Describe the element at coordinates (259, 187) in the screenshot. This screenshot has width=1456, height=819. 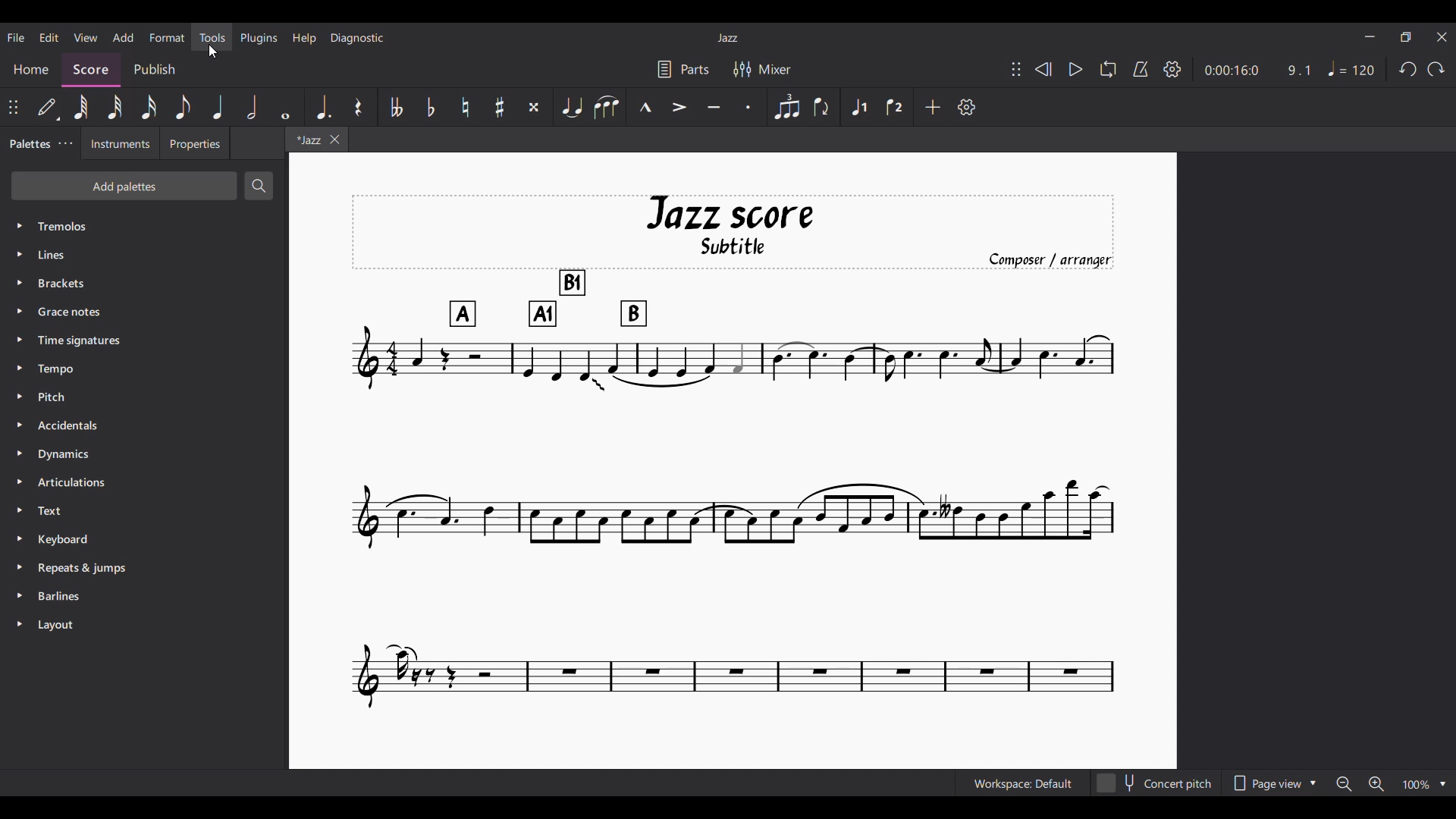
I see `Search` at that location.